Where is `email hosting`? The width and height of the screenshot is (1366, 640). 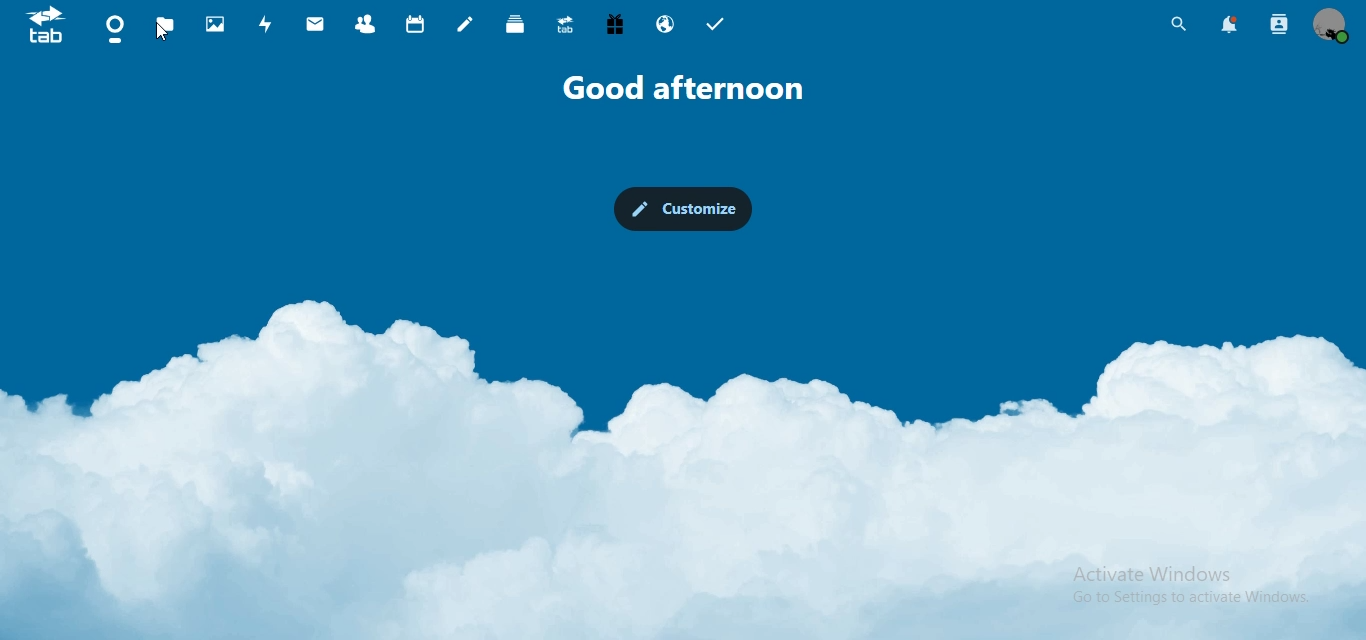
email hosting is located at coordinates (668, 23).